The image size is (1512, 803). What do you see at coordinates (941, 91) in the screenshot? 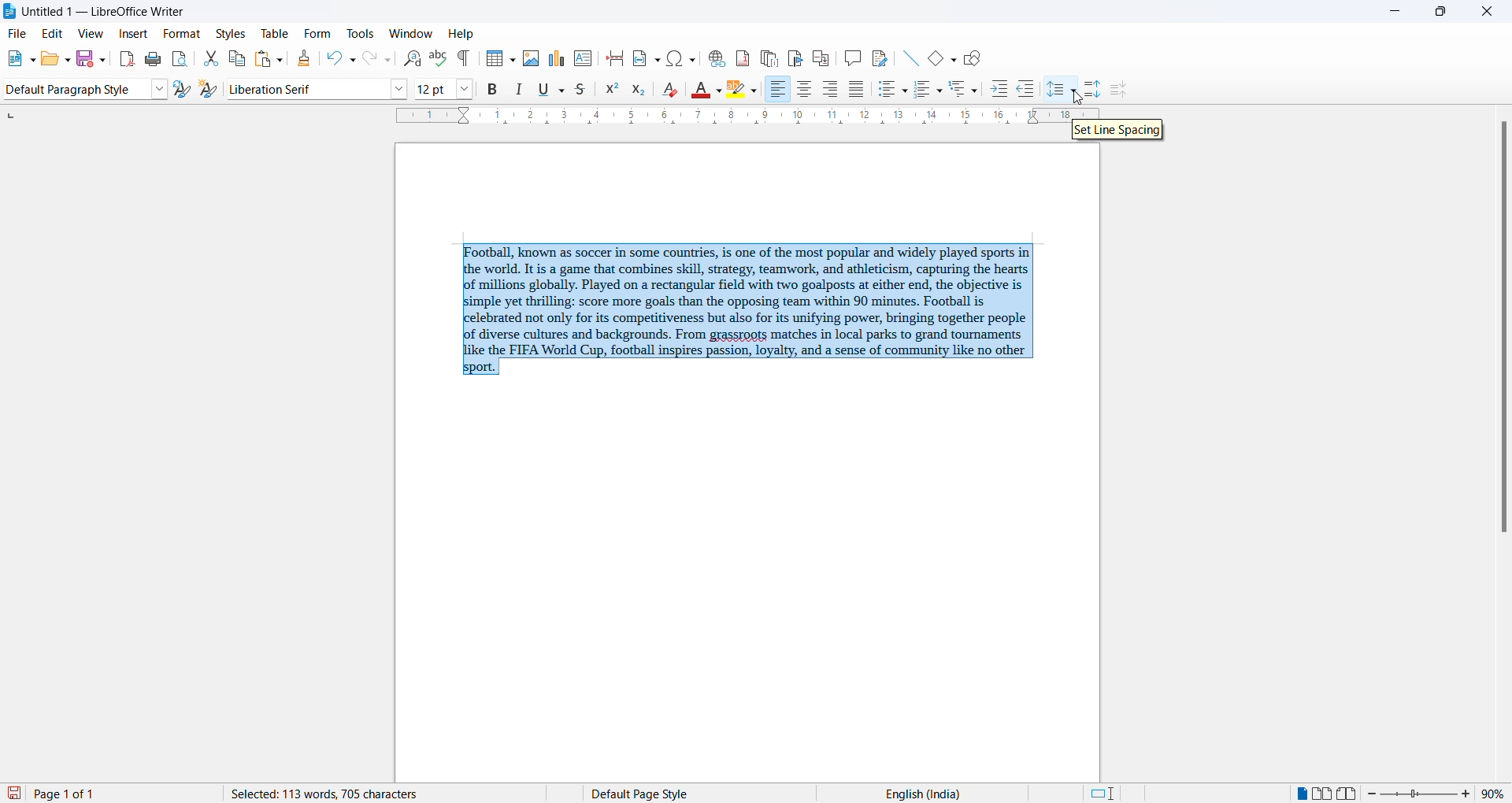
I see `toggle ordered list ` at bounding box center [941, 91].